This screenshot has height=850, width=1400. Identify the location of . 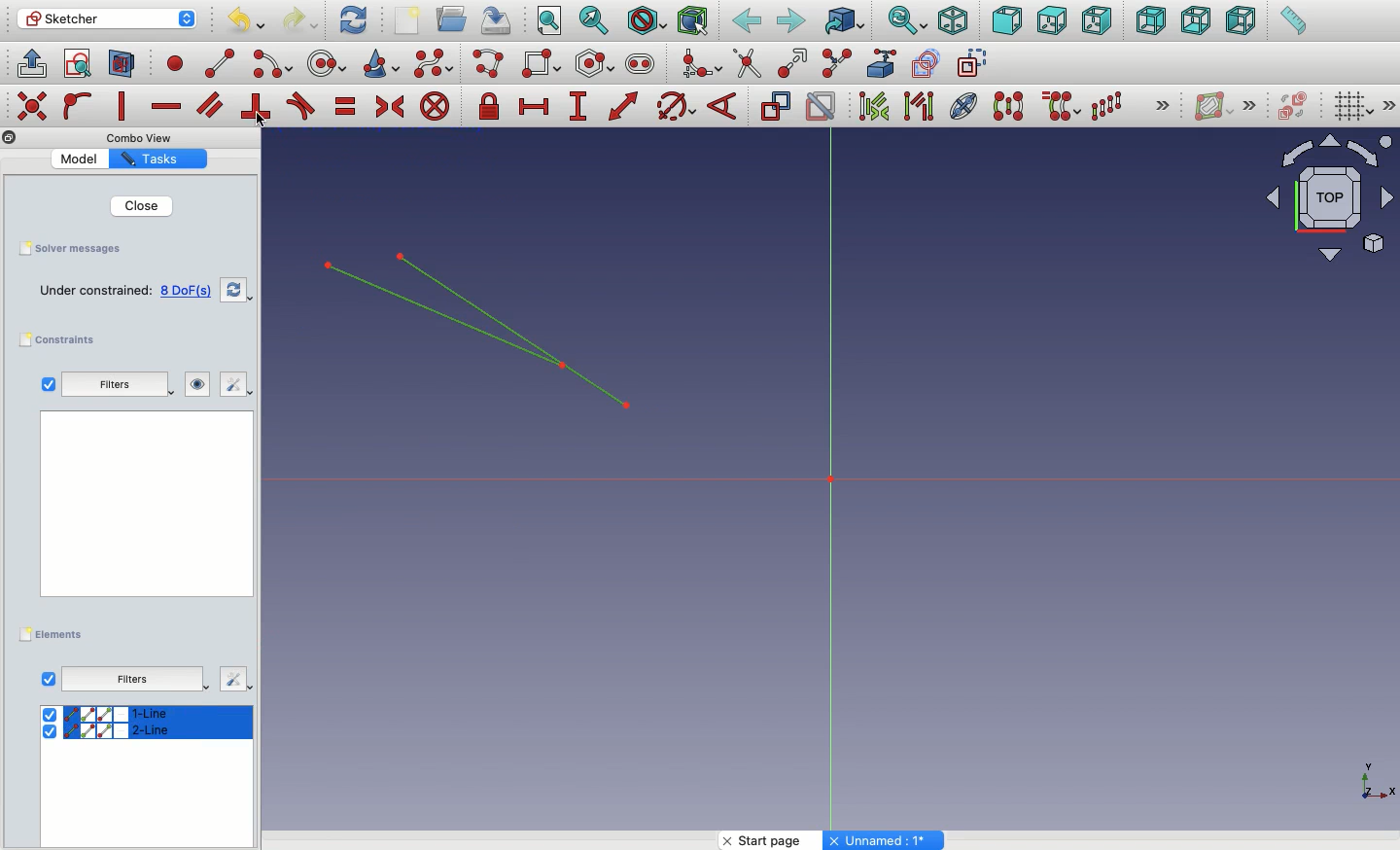
(141, 138).